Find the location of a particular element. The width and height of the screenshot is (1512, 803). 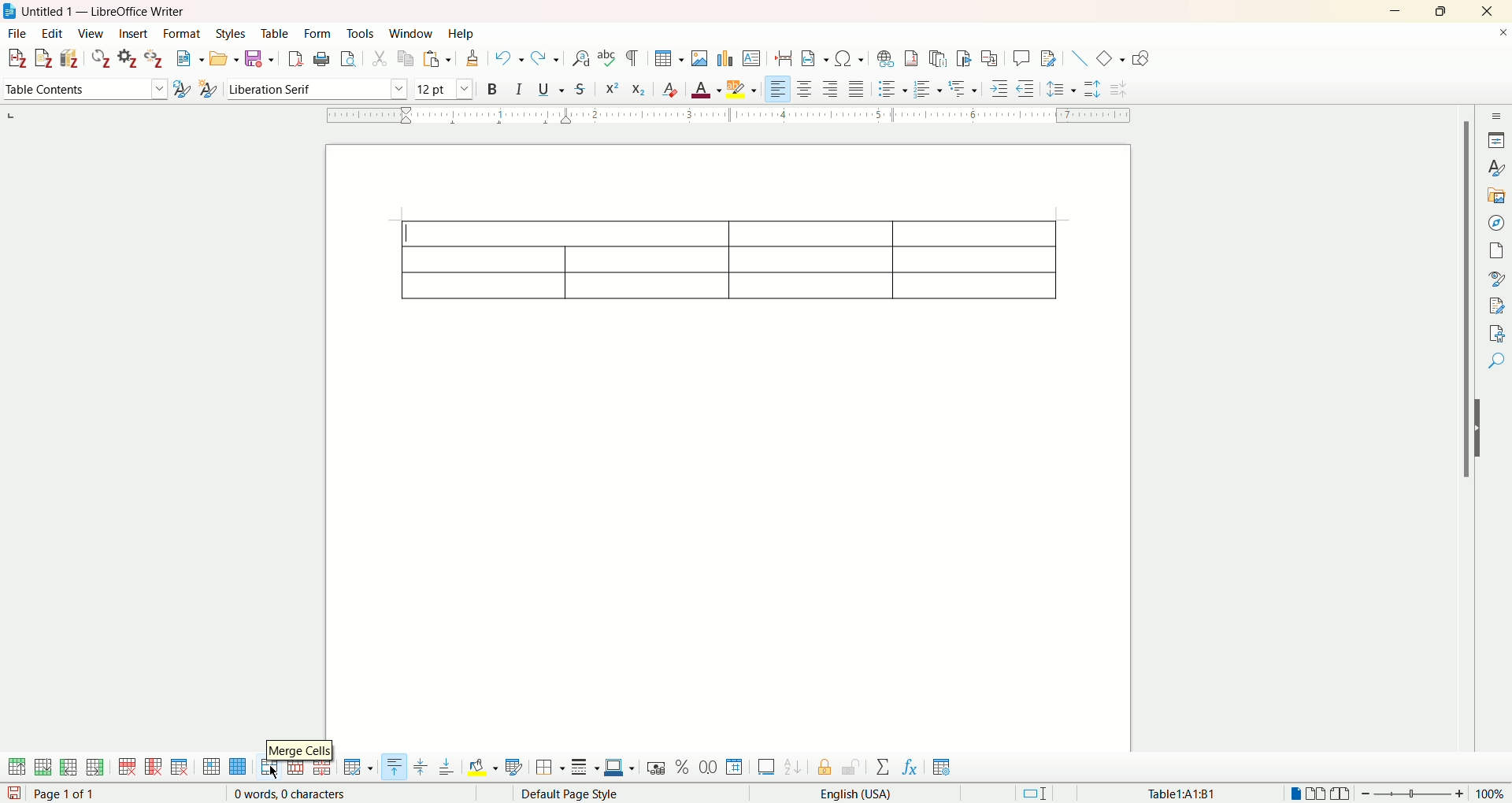

table is located at coordinates (276, 32).